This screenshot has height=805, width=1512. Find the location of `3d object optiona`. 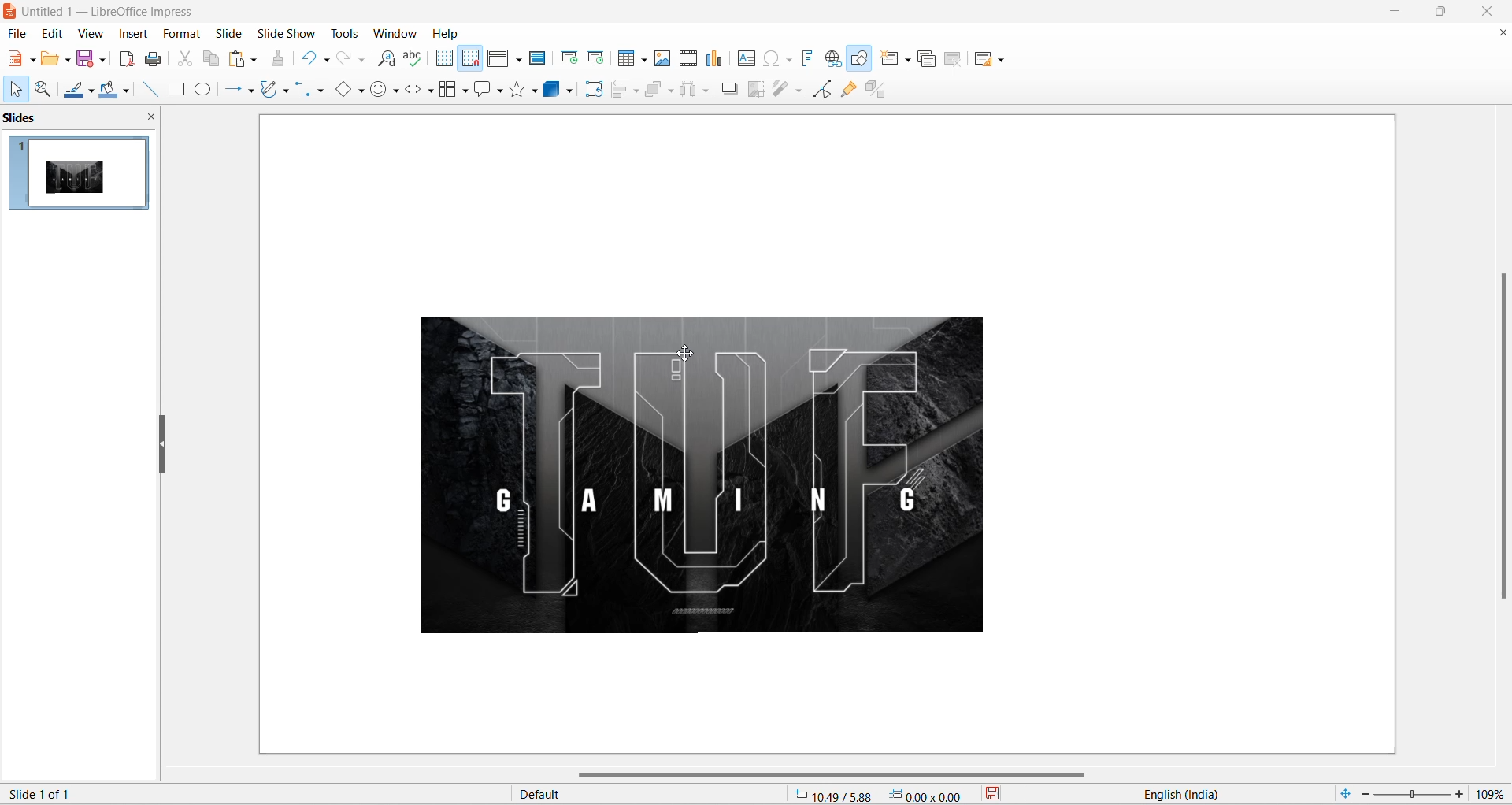

3d object optiona is located at coordinates (569, 93).